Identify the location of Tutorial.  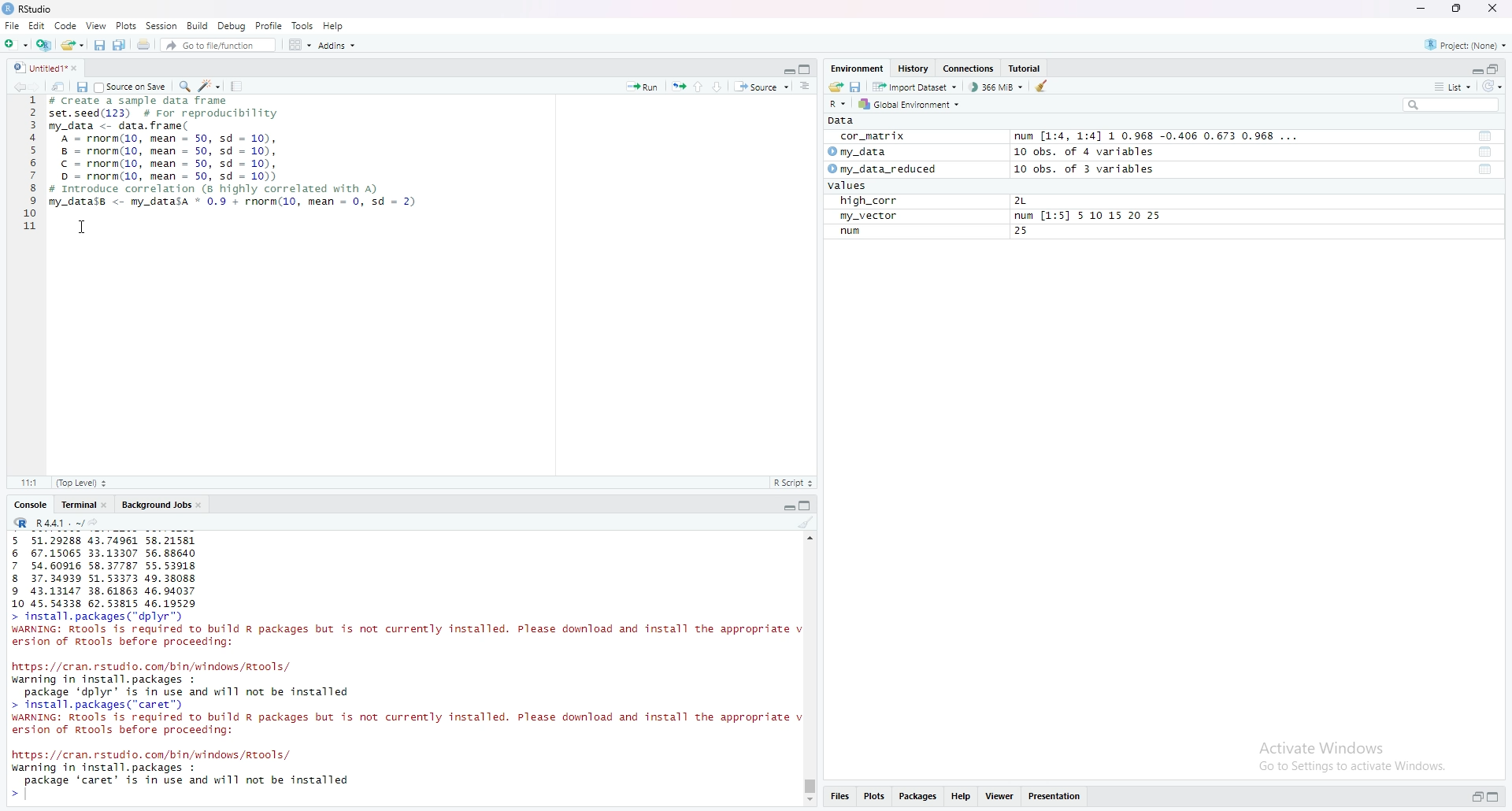
(1027, 69).